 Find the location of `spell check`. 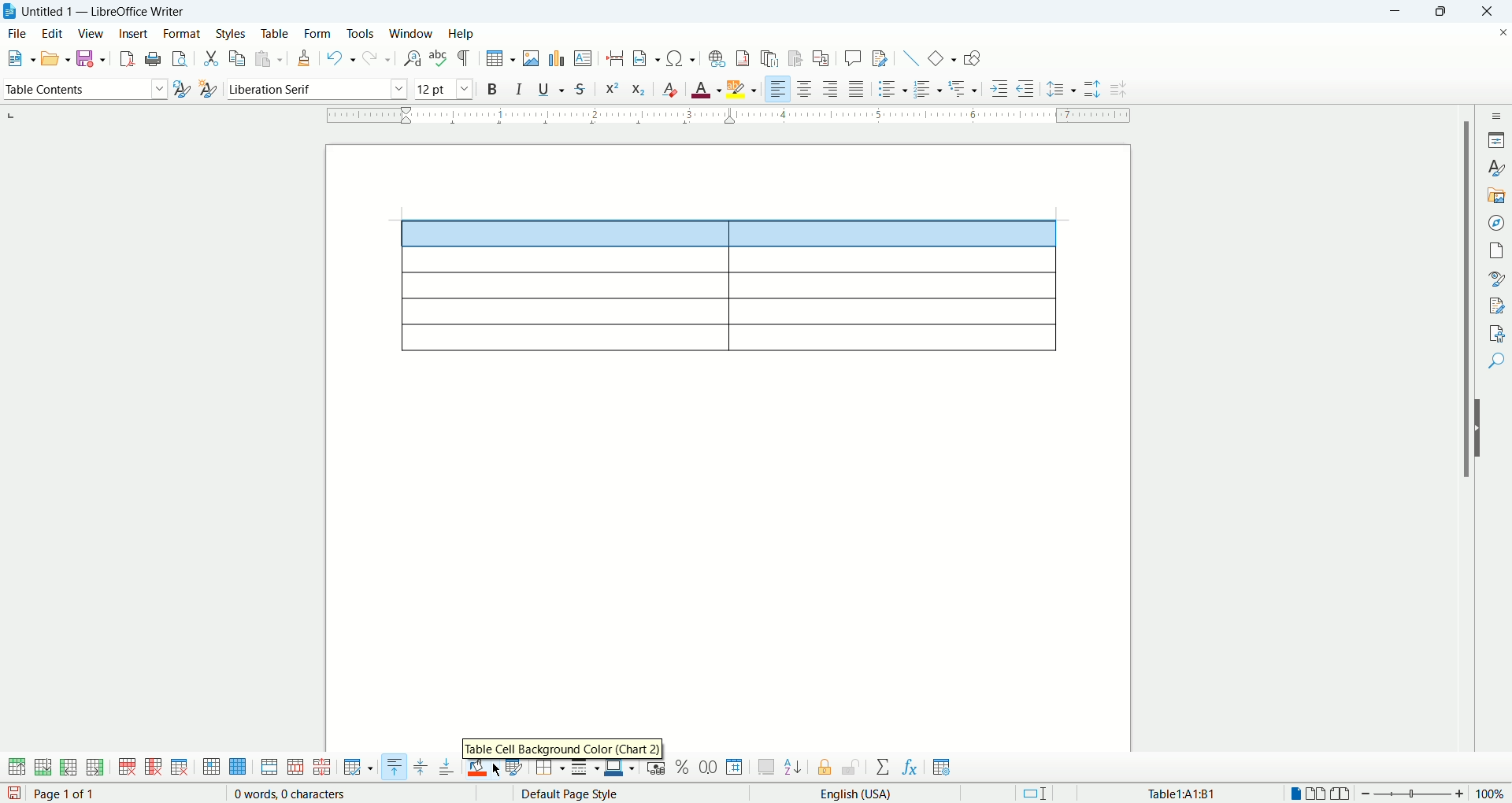

spell check is located at coordinates (439, 57).